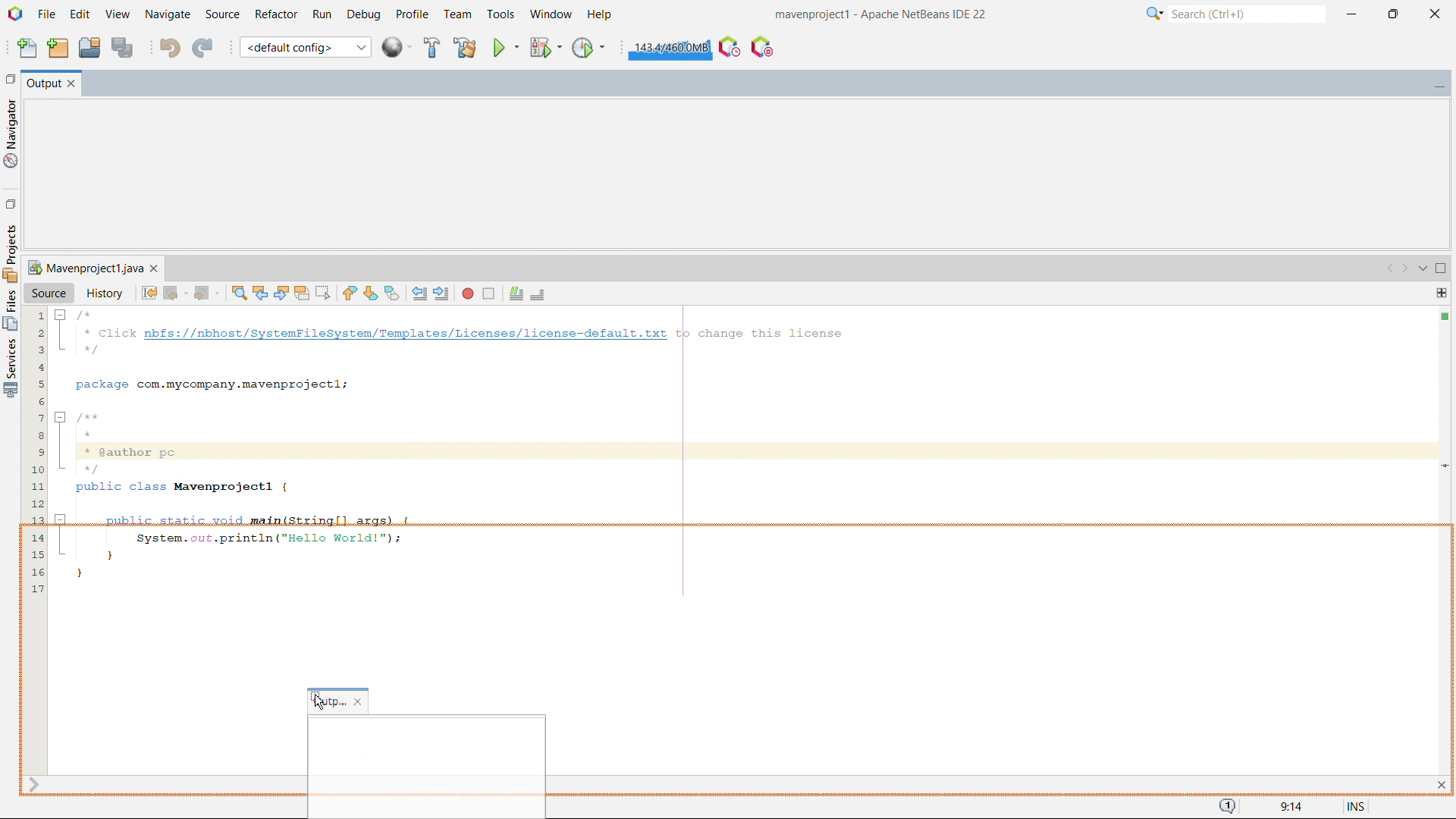 This screenshot has width=1456, height=819. Describe the element at coordinates (9, 77) in the screenshot. I see `restore window group` at that location.